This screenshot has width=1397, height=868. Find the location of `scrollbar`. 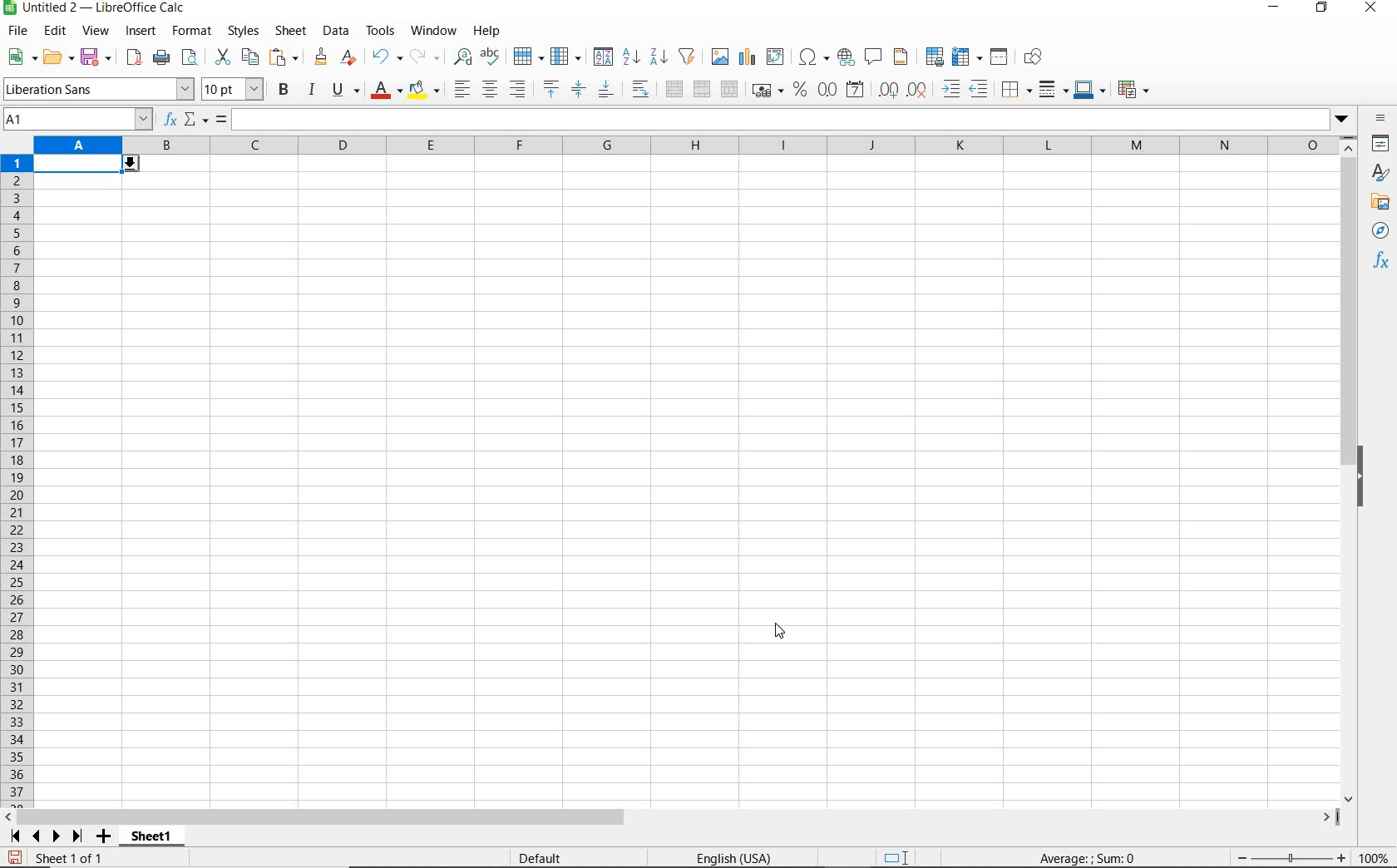

scrollbar is located at coordinates (1350, 470).